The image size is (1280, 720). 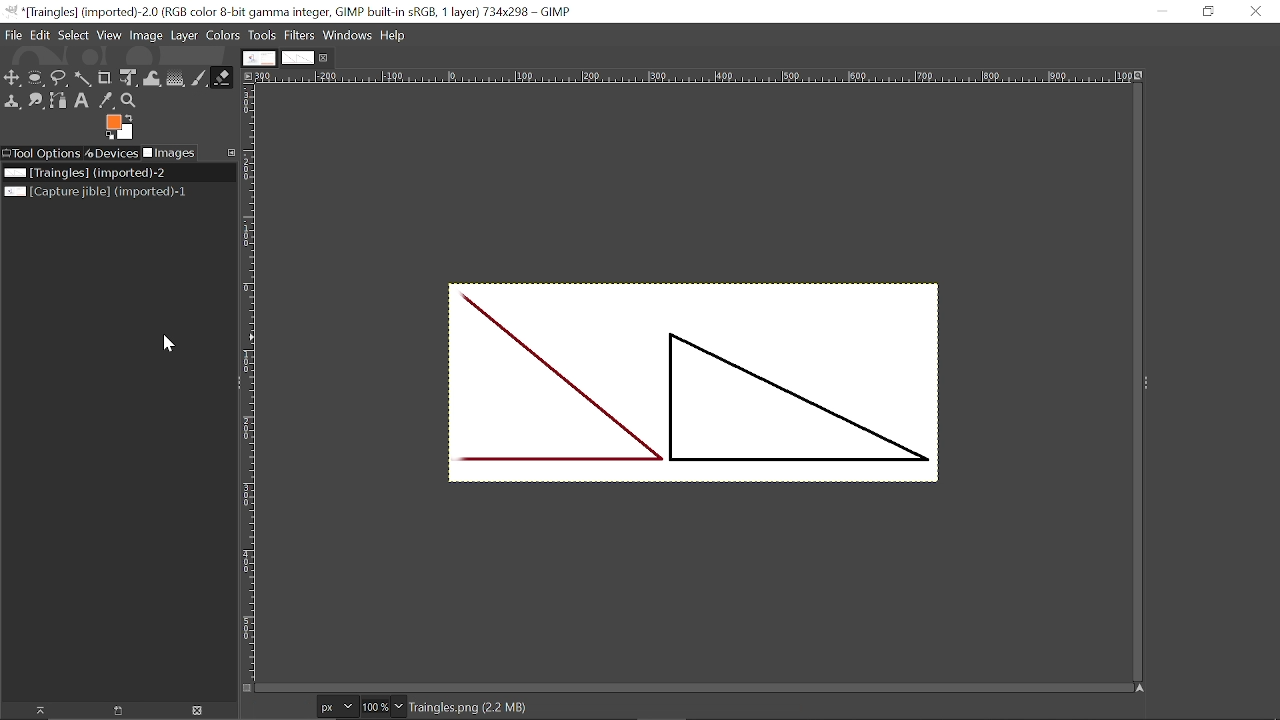 I want to click on Wrap text tool, so click(x=152, y=79).